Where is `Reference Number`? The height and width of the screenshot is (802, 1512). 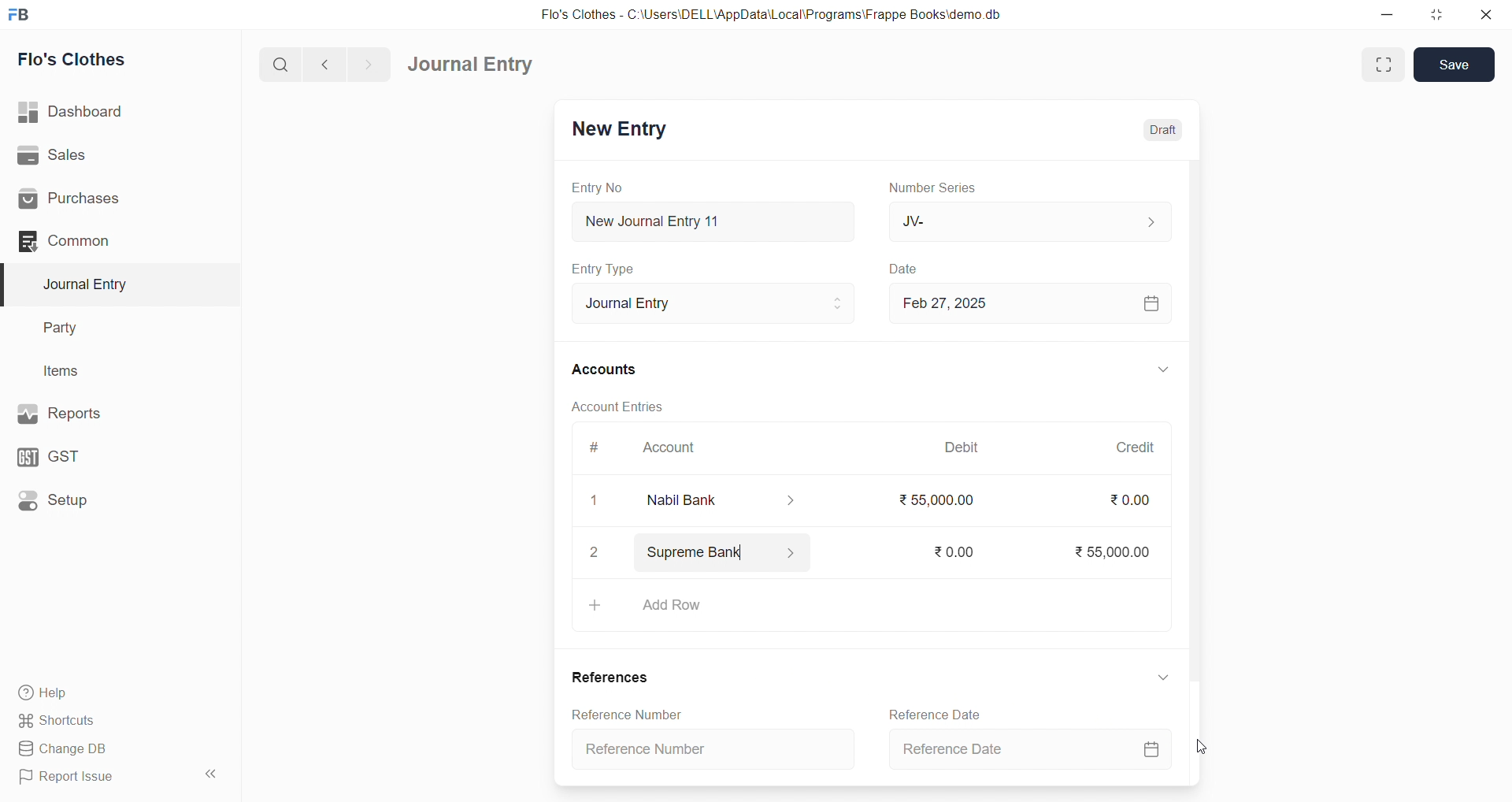
Reference Number is located at coordinates (627, 712).